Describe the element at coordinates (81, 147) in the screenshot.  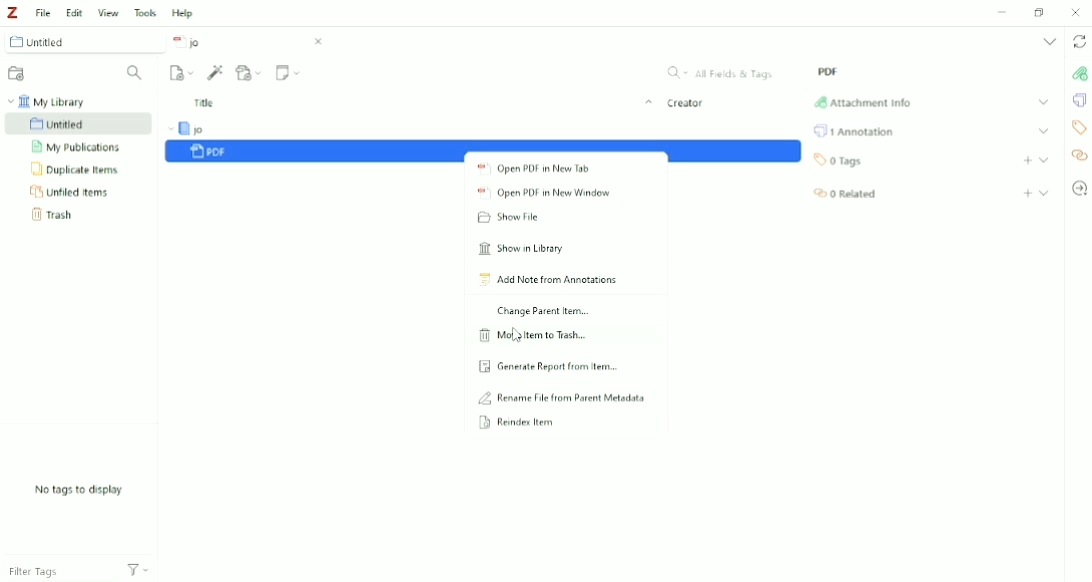
I see `My Publication` at that location.